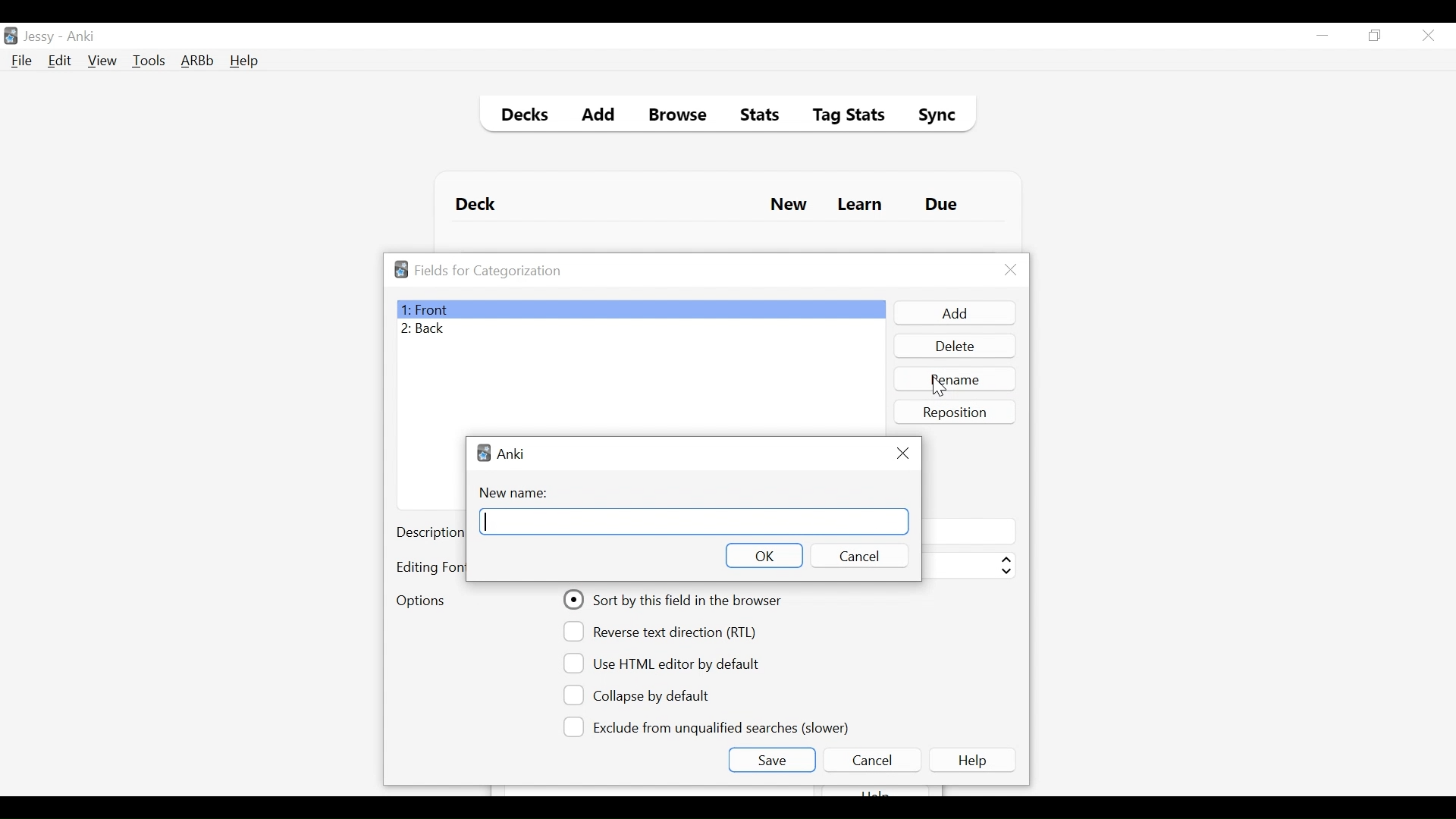 The width and height of the screenshot is (1456, 819). What do you see at coordinates (420, 602) in the screenshot?
I see `Options` at bounding box center [420, 602].